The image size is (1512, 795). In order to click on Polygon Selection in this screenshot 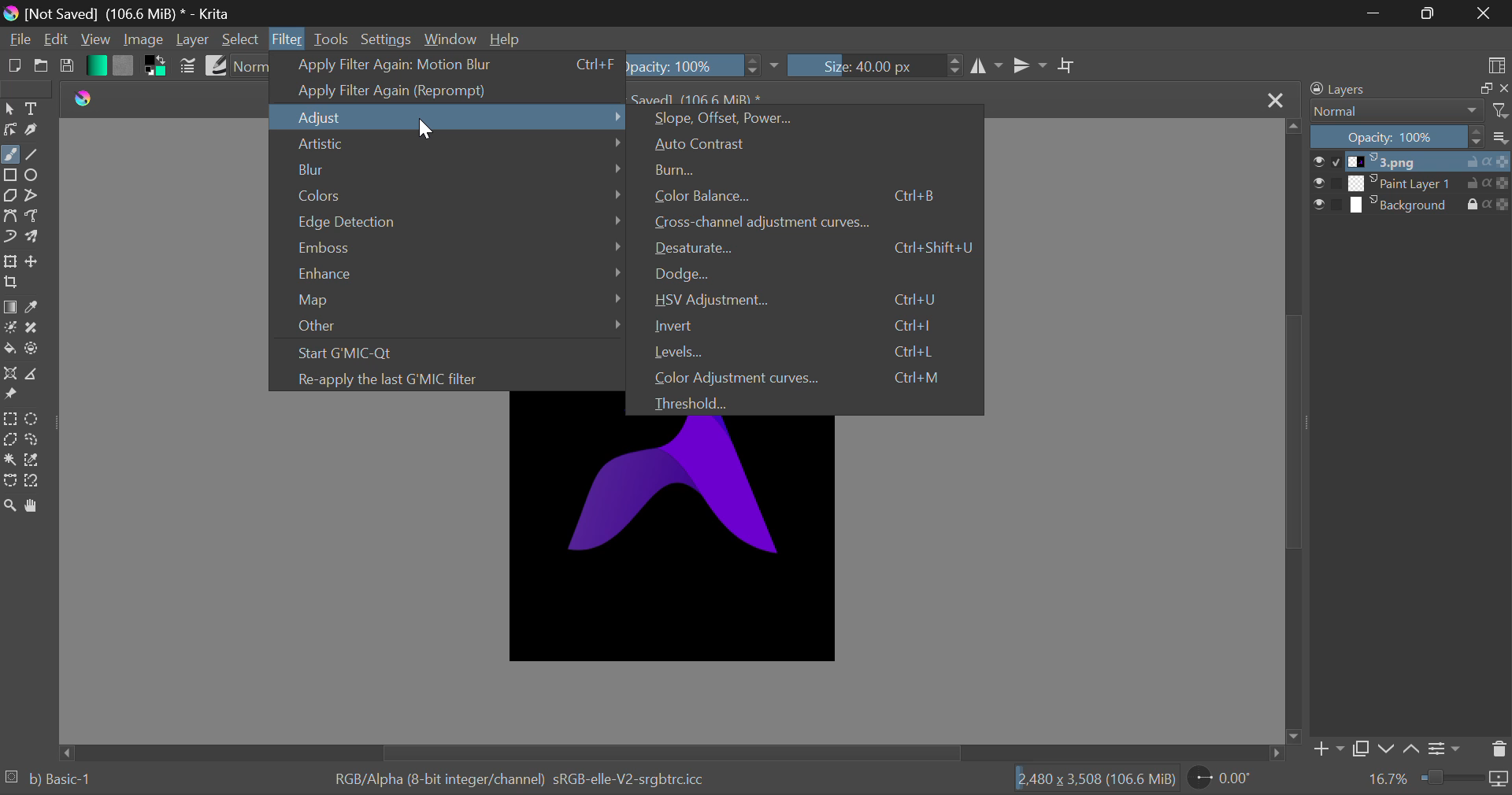, I will do `click(10, 441)`.